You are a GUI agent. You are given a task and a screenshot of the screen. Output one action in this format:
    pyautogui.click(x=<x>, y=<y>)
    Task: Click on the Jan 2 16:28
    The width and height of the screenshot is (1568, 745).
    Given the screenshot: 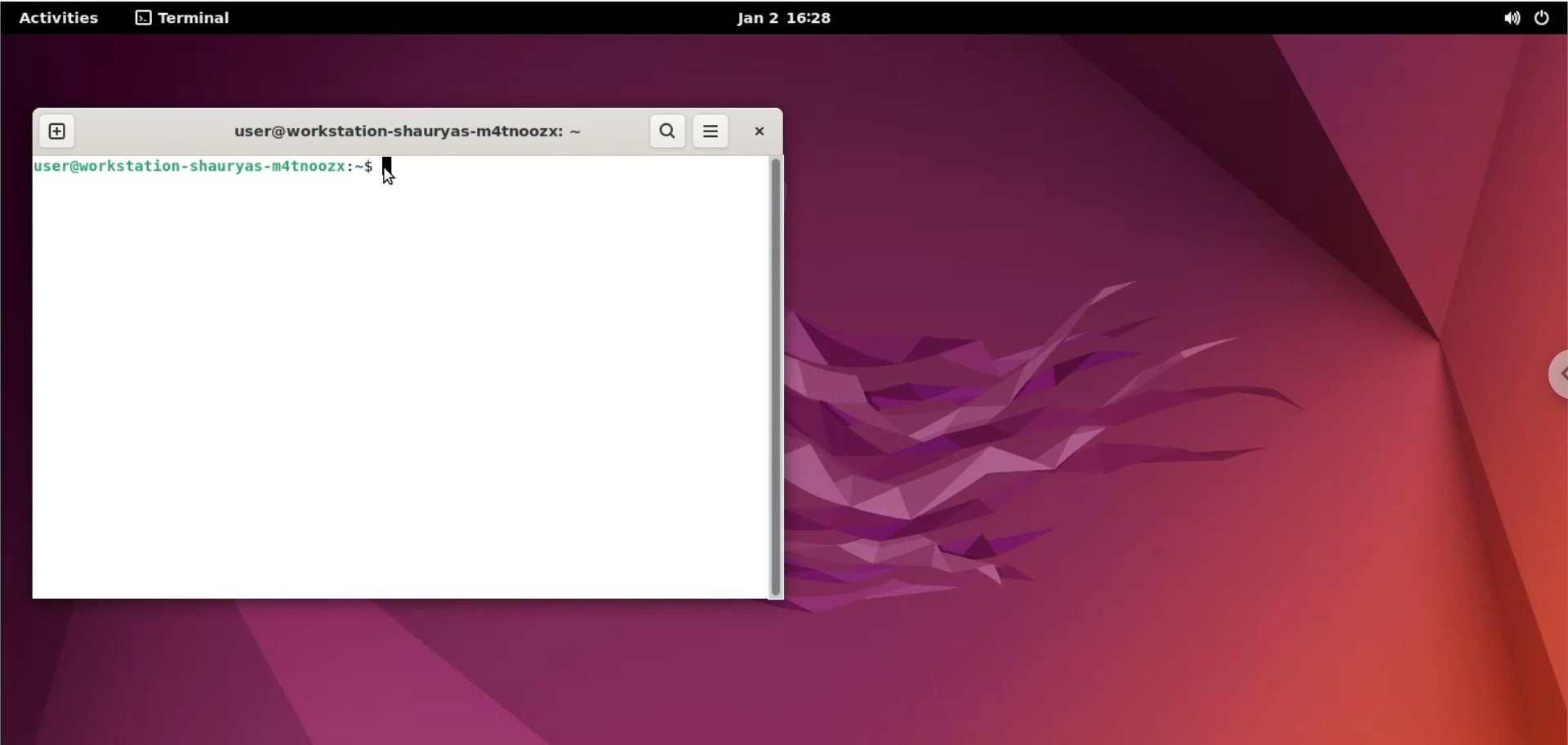 What is the action you would take?
    pyautogui.click(x=789, y=20)
    